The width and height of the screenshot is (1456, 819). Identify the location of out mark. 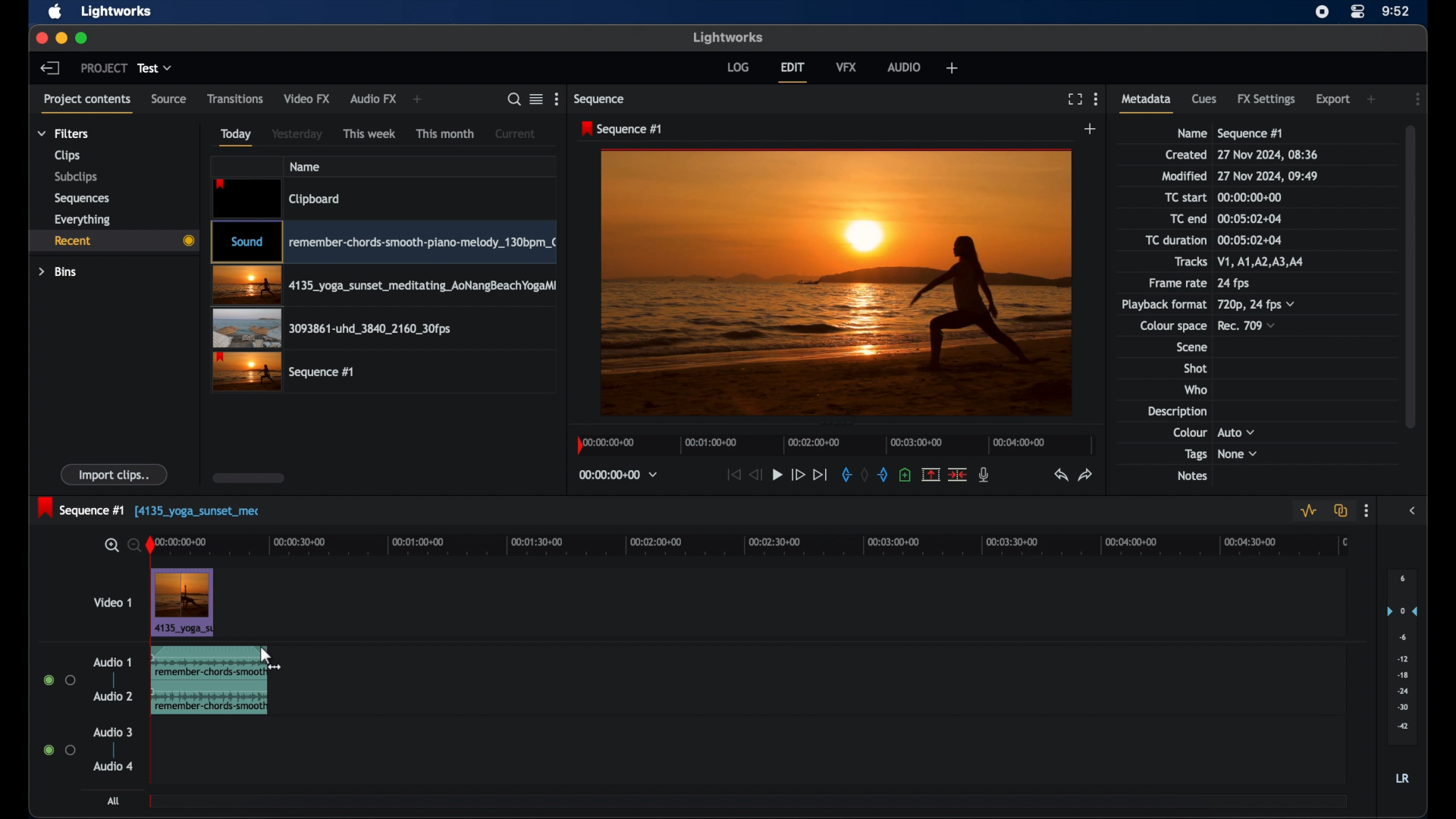
(883, 474).